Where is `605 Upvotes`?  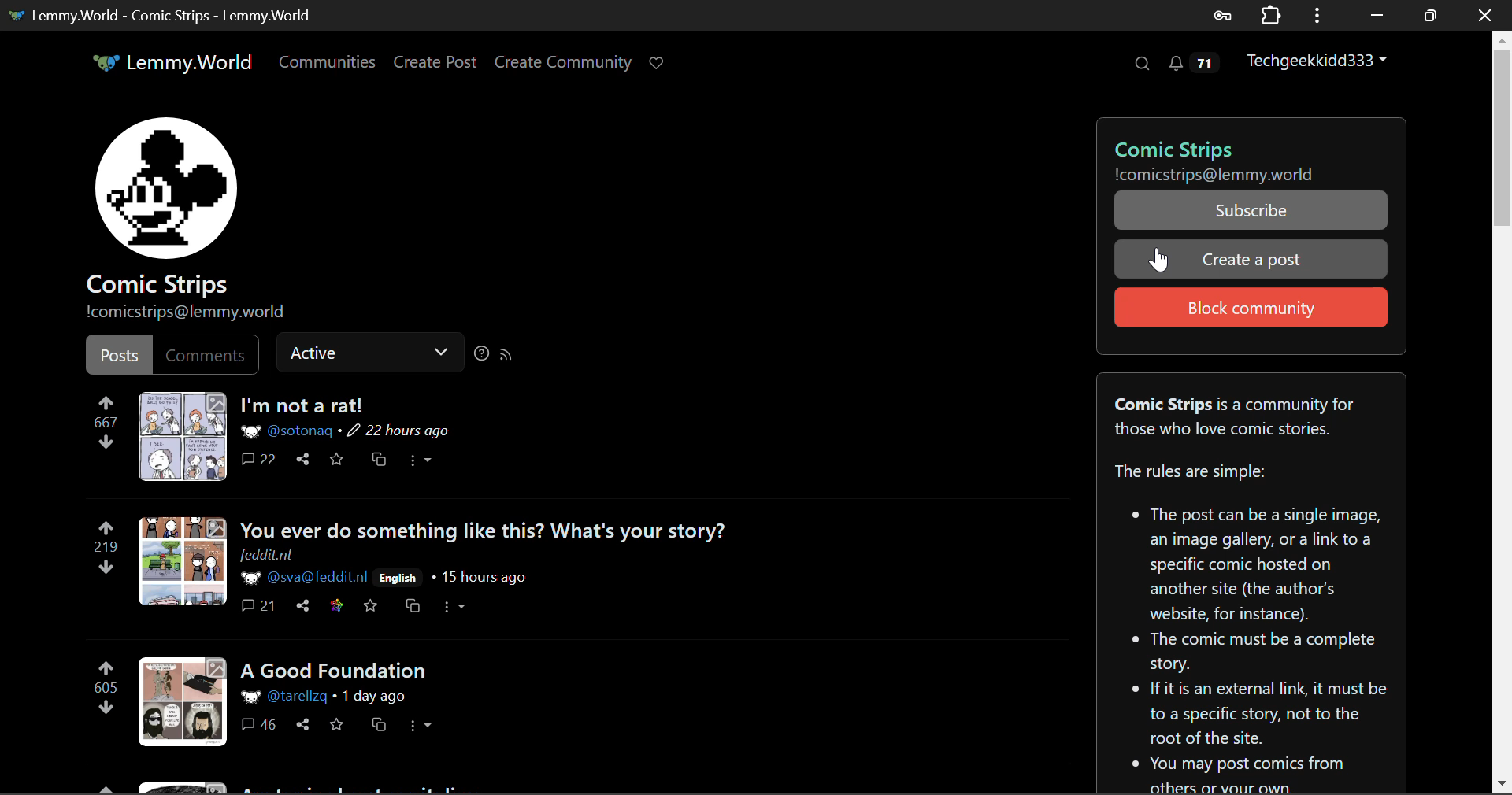
605 Upvotes is located at coordinates (105, 686).